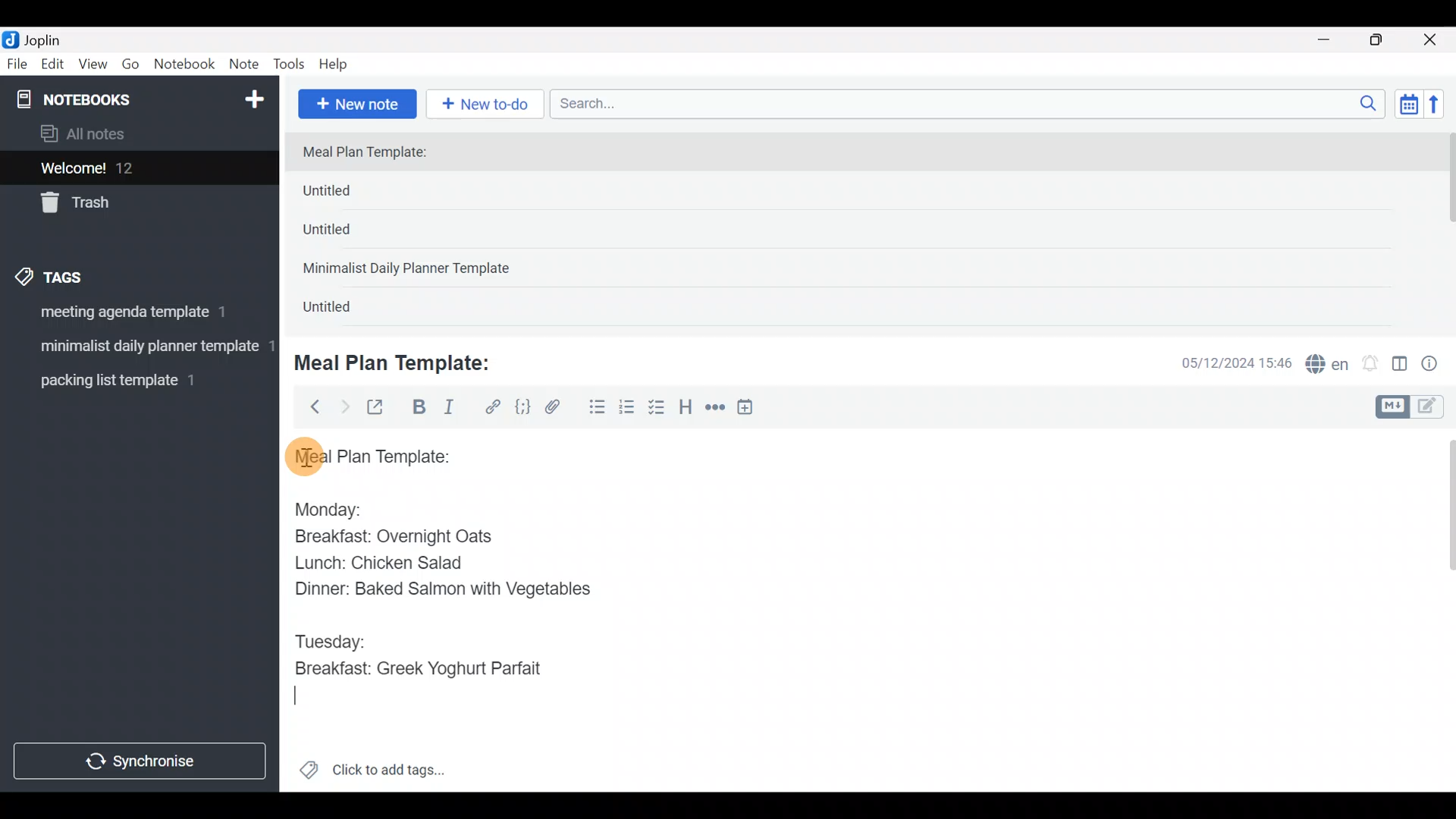 The width and height of the screenshot is (1456, 819). What do you see at coordinates (1442, 108) in the screenshot?
I see `Reverse sort` at bounding box center [1442, 108].